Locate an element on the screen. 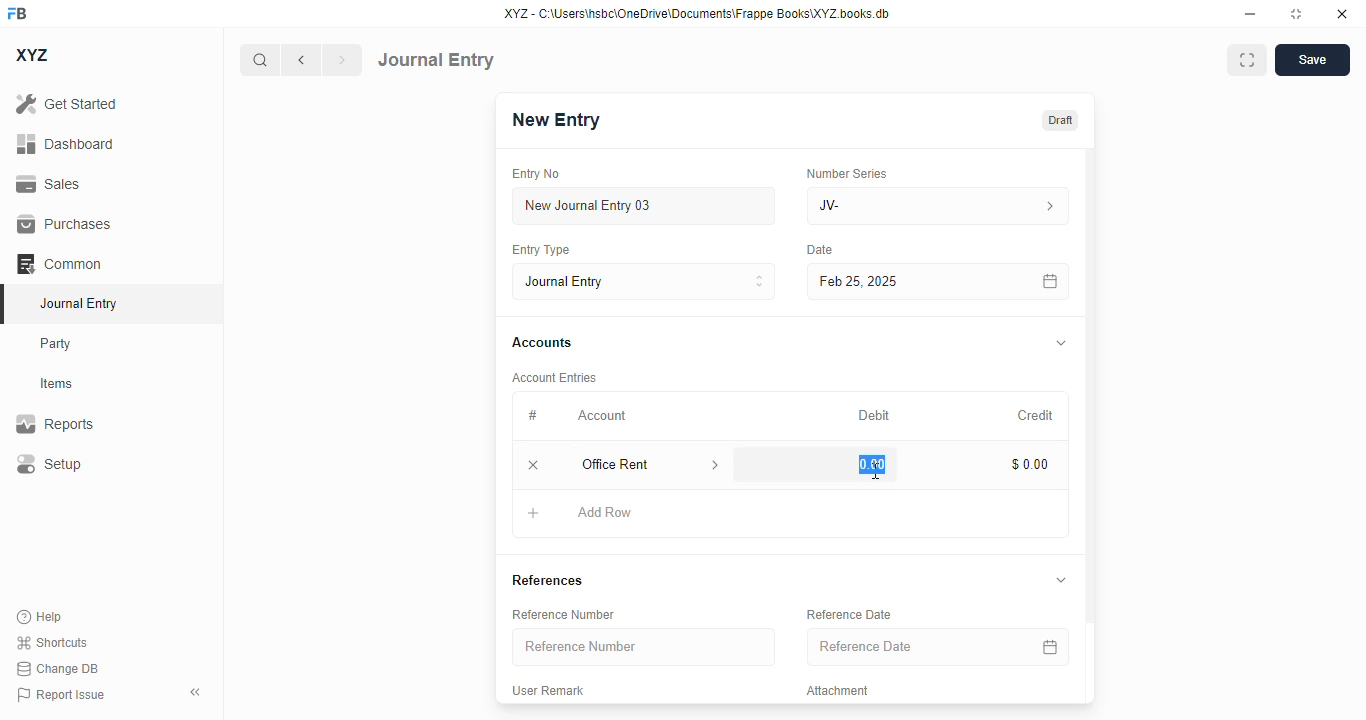 This screenshot has height=720, width=1366. draft is located at coordinates (1061, 121).